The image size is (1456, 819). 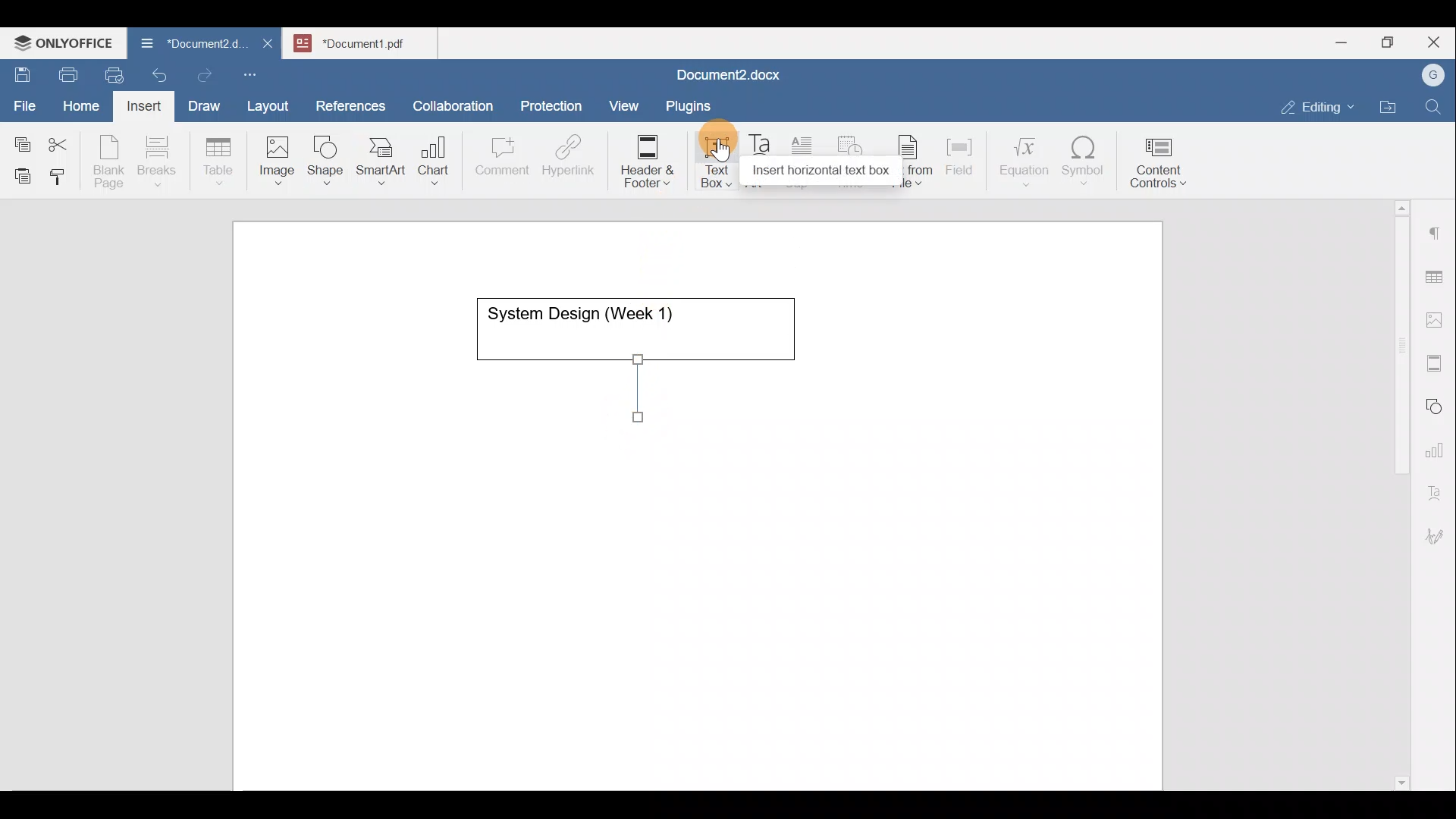 What do you see at coordinates (725, 77) in the screenshot?
I see `Document name` at bounding box center [725, 77].